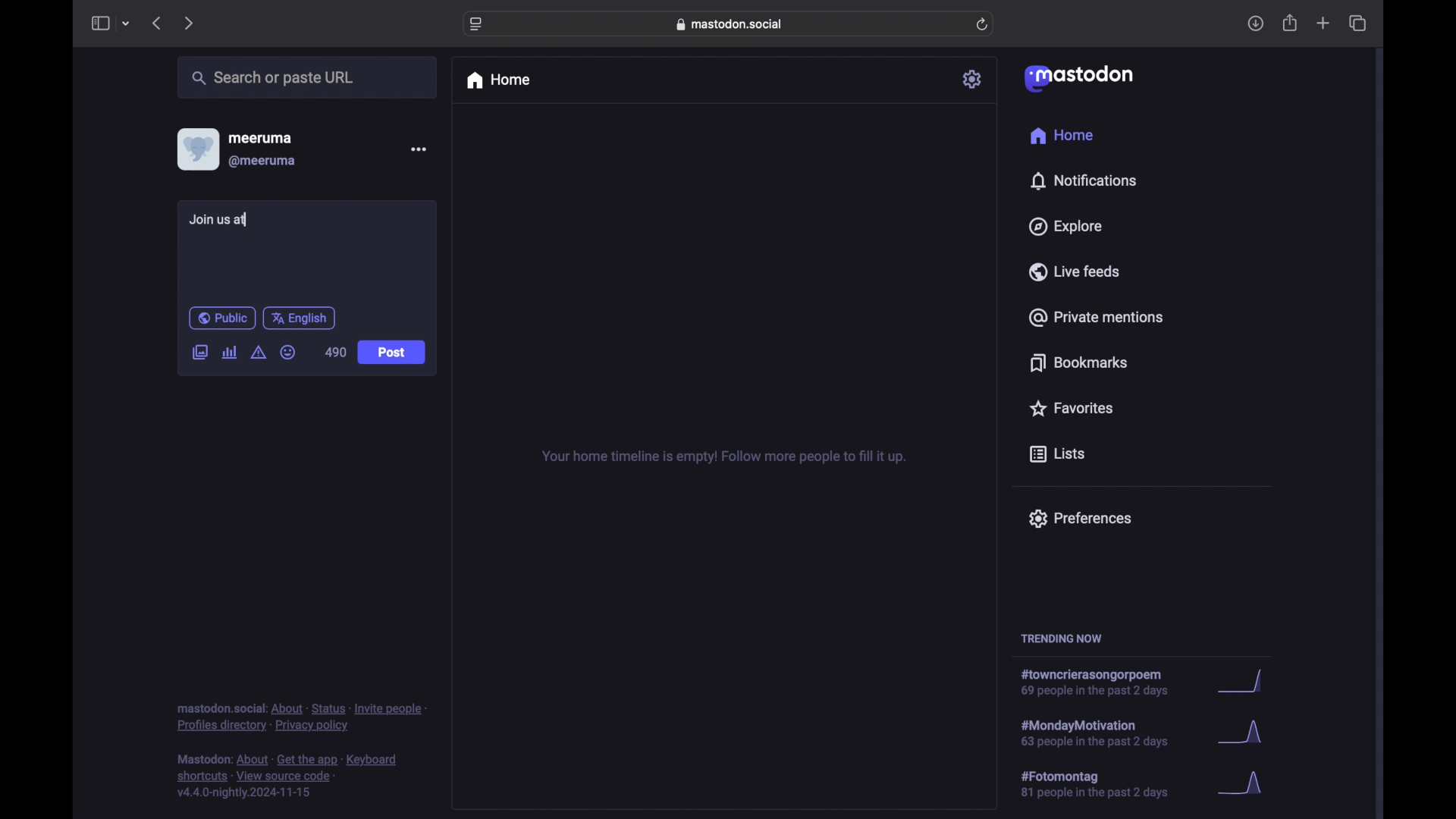 This screenshot has width=1456, height=819. What do you see at coordinates (1357, 24) in the screenshot?
I see `show tab overview` at bounding box center [1357, 24].